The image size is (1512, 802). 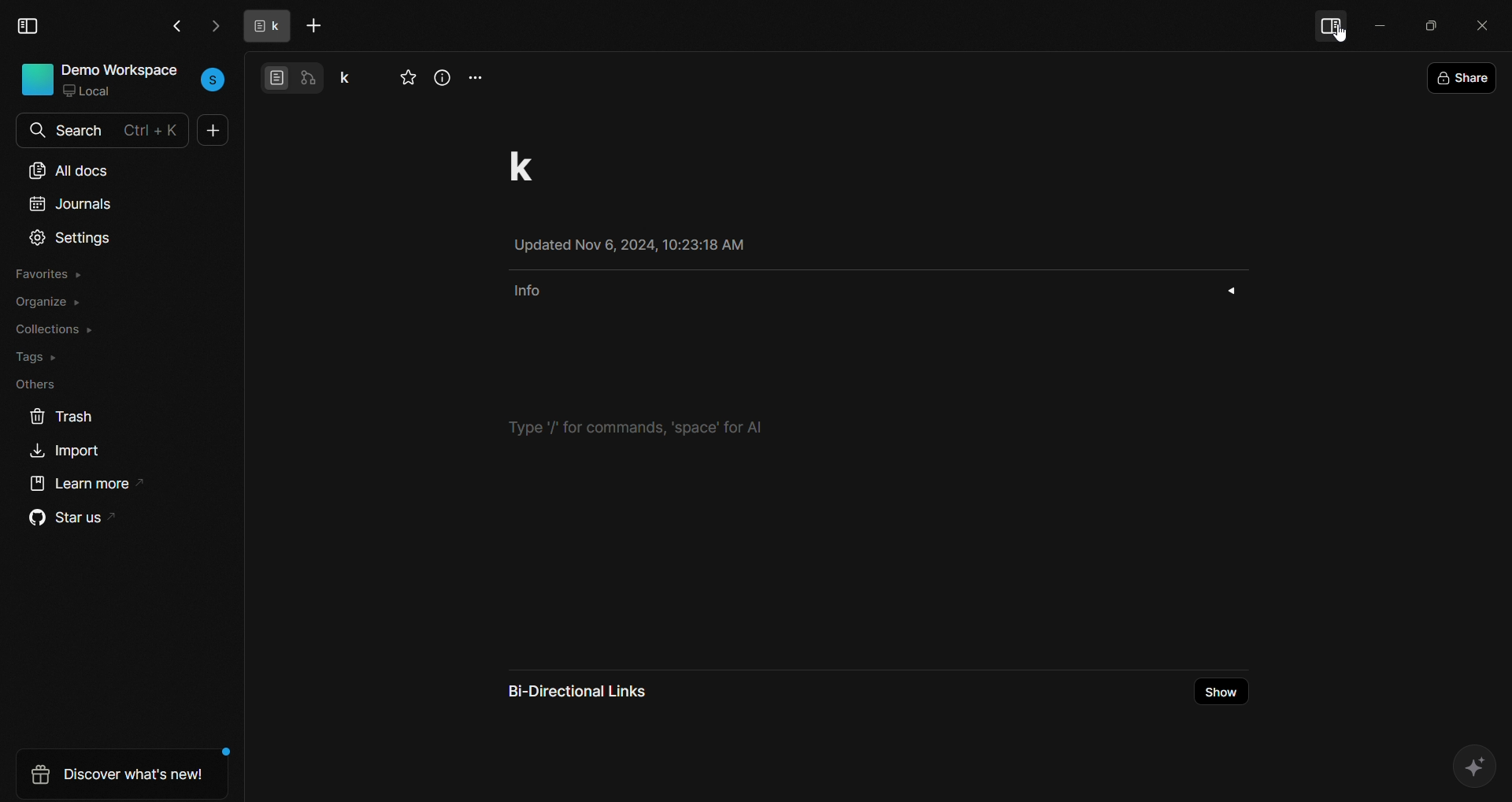 I want to click on project title, so click(x=531, y=163).